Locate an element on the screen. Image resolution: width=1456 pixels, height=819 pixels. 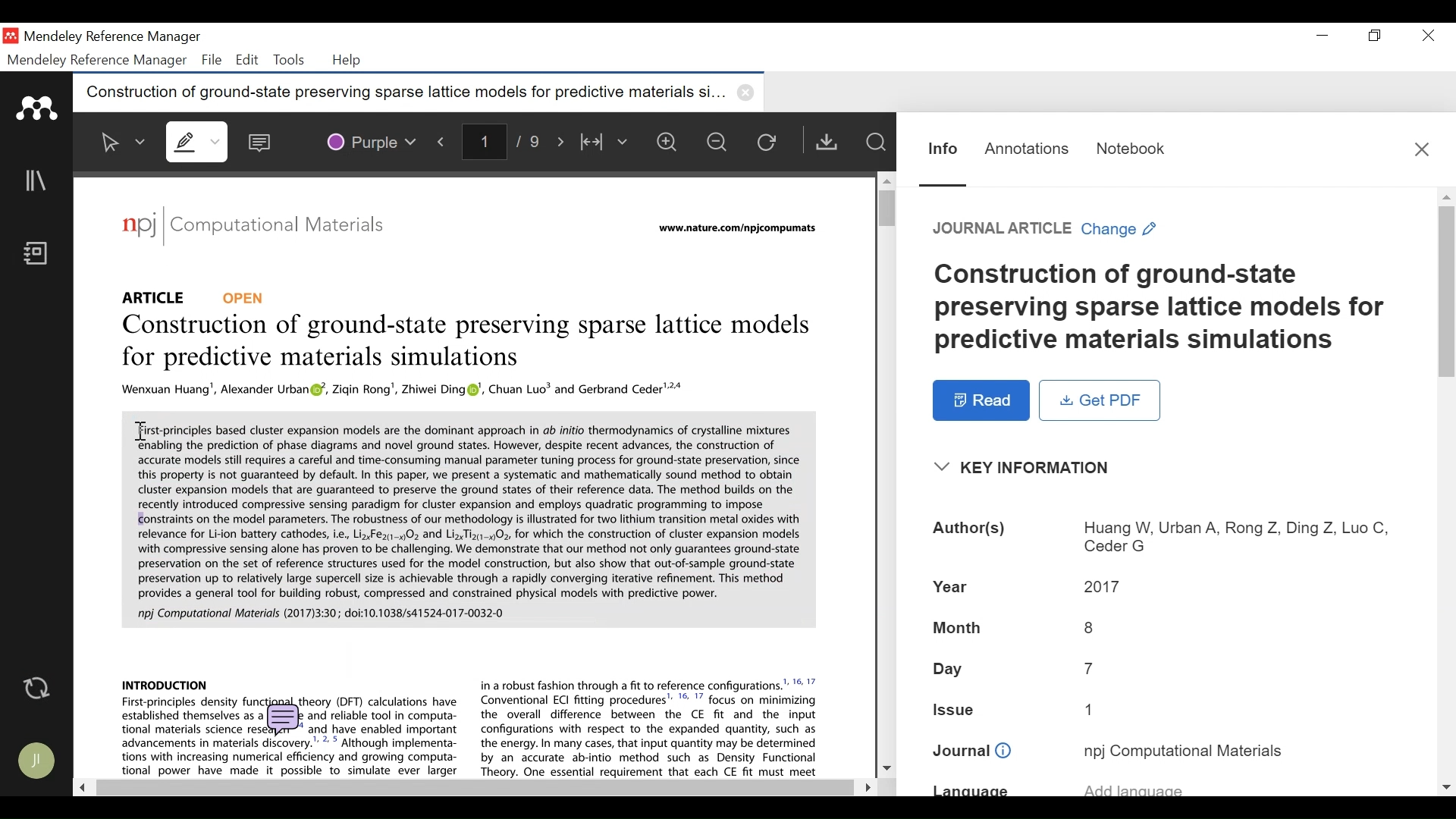
Annotation is located at coordinates (1027, 149).